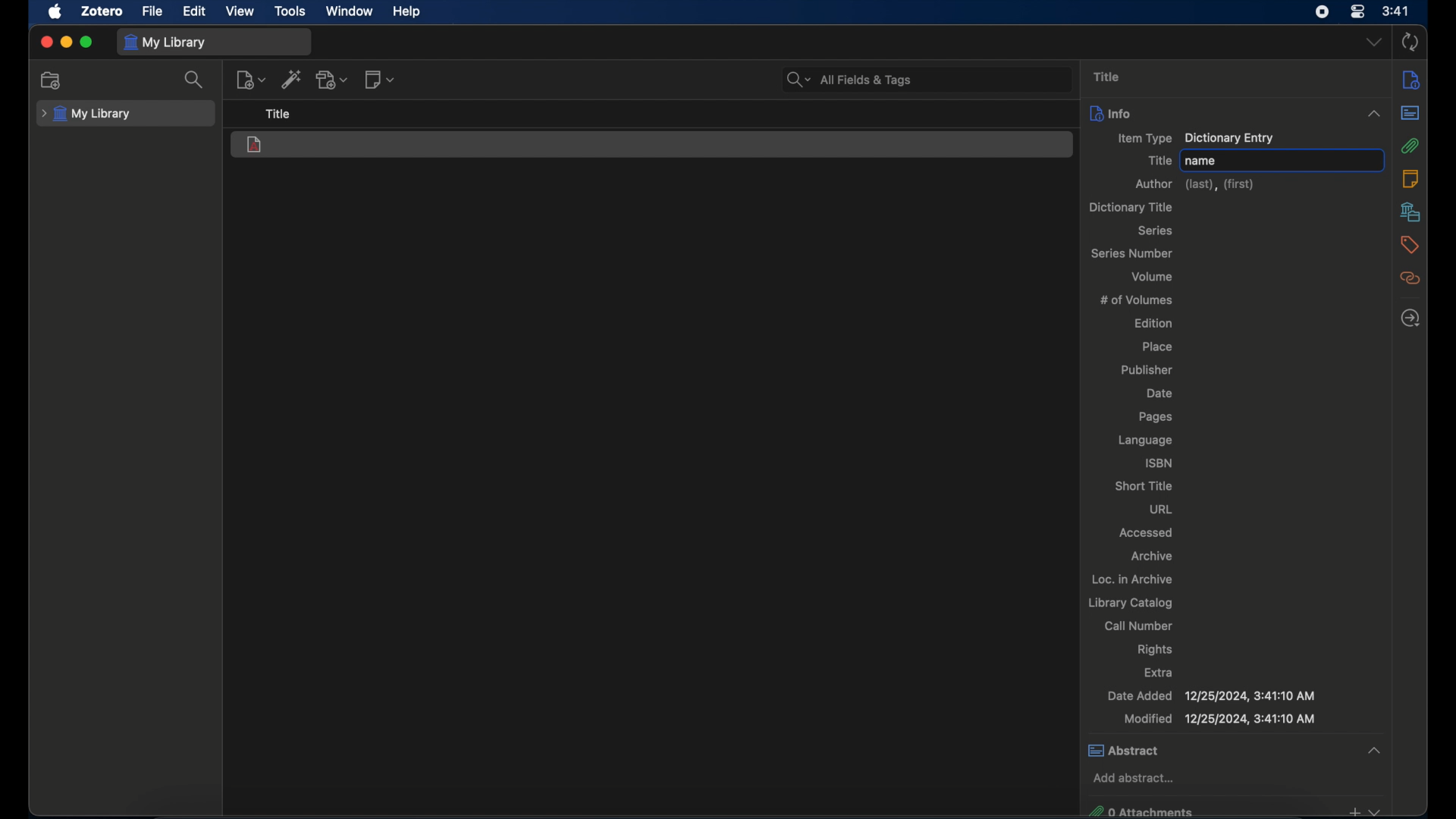 The width and height of the screenshot is (1456, 819). I want to click on maximize, so click(86, 42).